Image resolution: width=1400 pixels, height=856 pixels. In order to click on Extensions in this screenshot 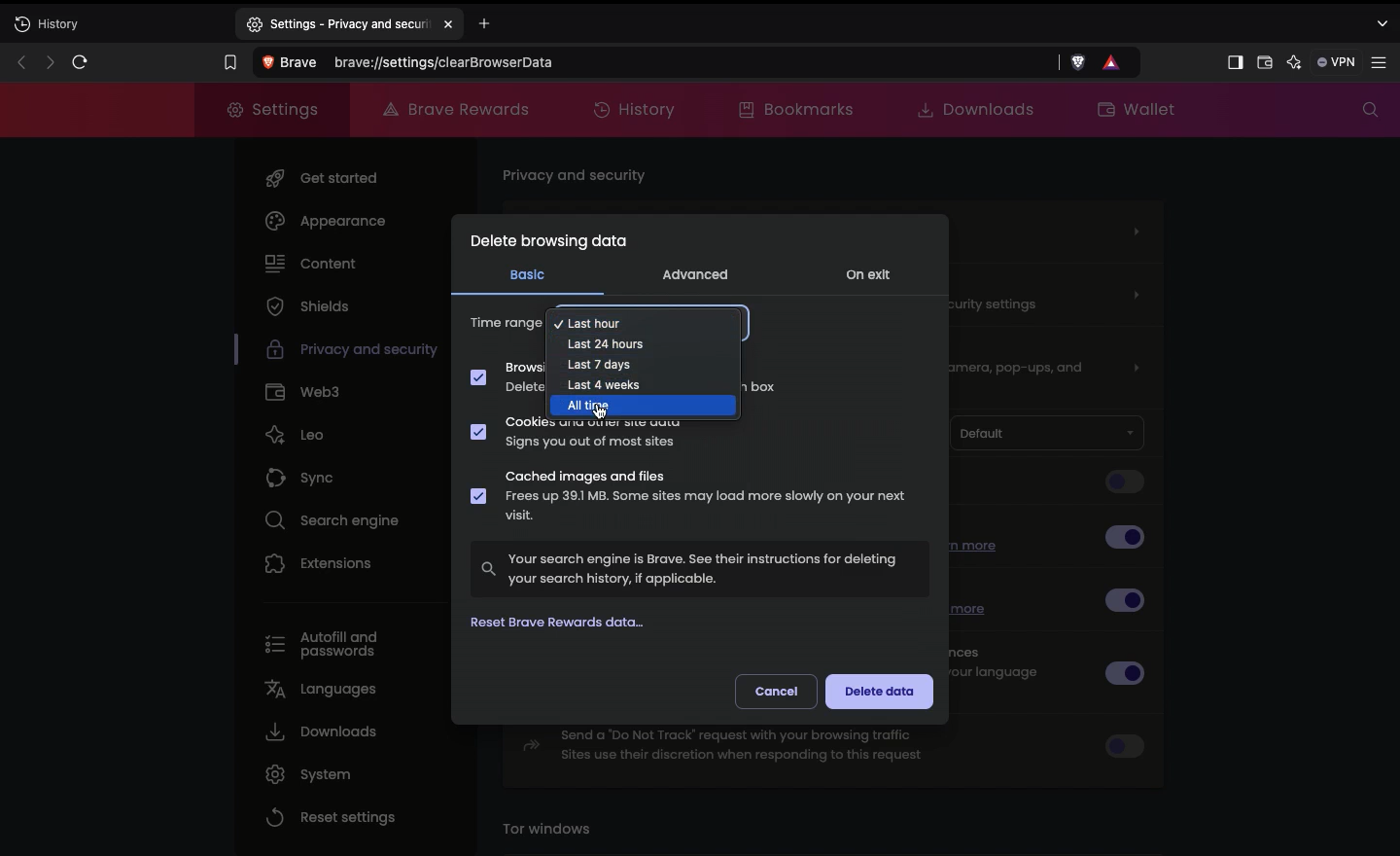, I will do `click(319, 566)`.